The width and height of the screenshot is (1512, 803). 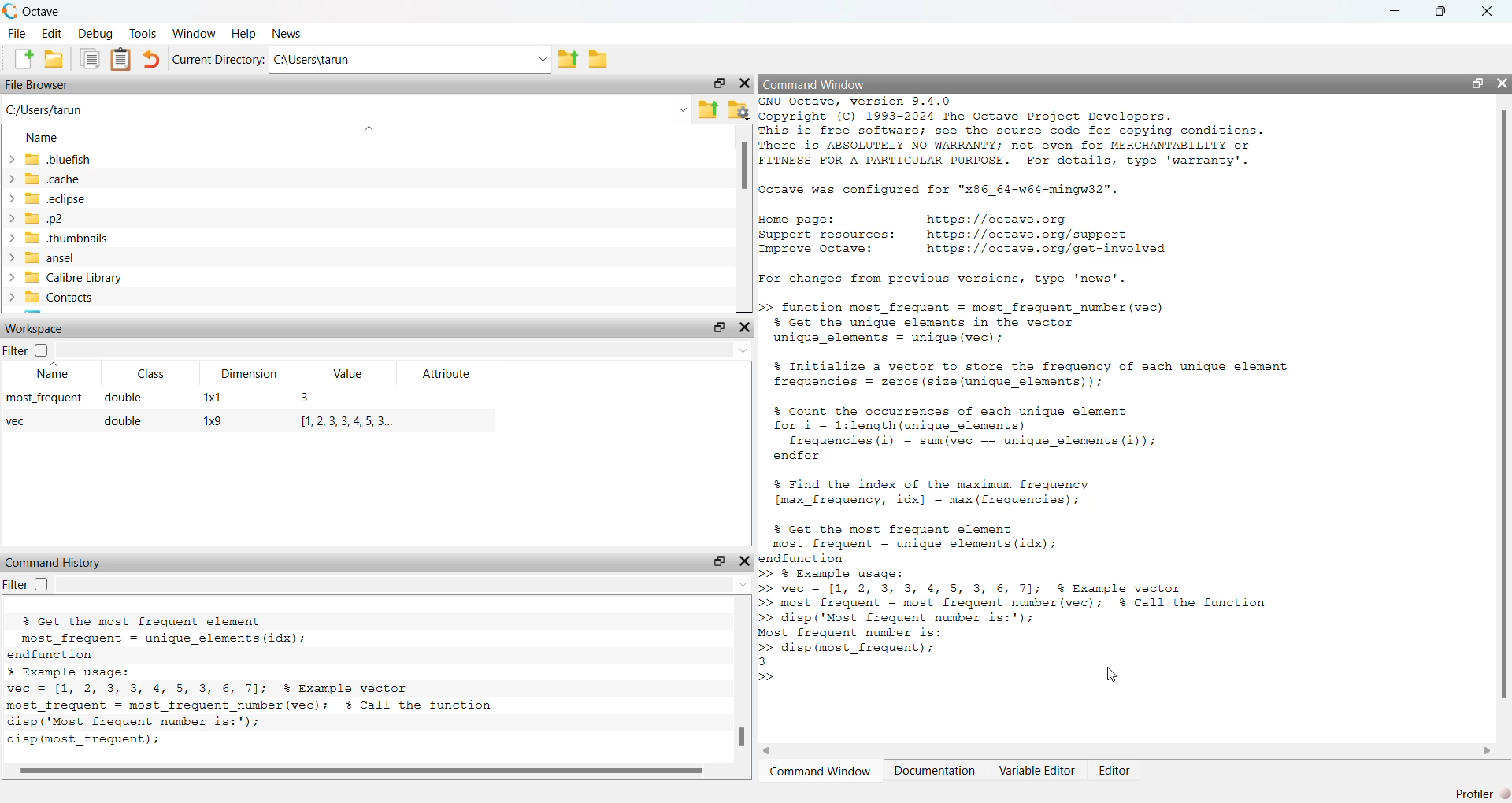 I want to click on vertical scroll bar, so click(x=1501, y=417).